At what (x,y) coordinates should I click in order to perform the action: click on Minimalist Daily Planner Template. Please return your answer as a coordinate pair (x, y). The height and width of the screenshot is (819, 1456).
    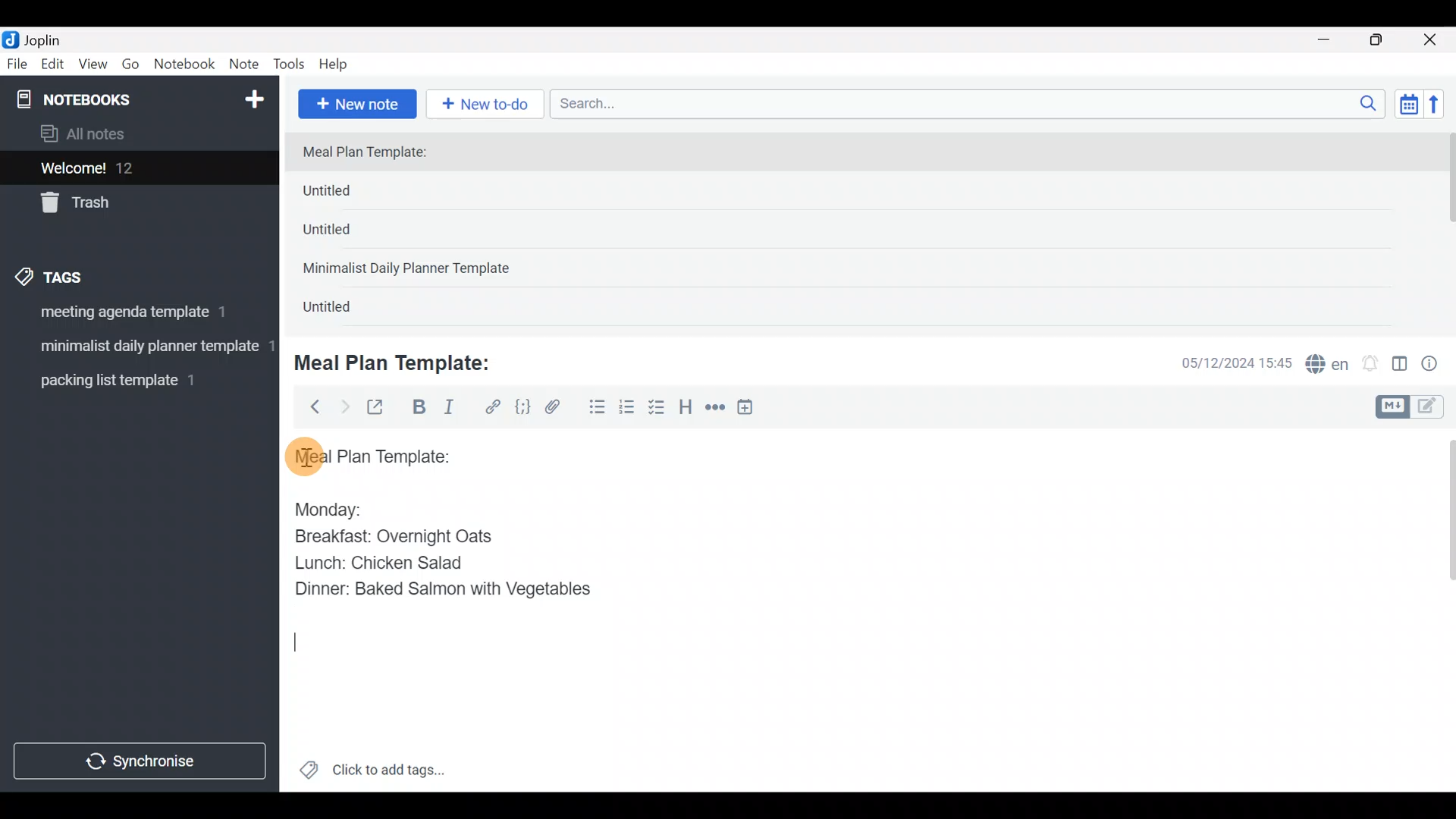
    Looking at the image, I should click on (411, 270).